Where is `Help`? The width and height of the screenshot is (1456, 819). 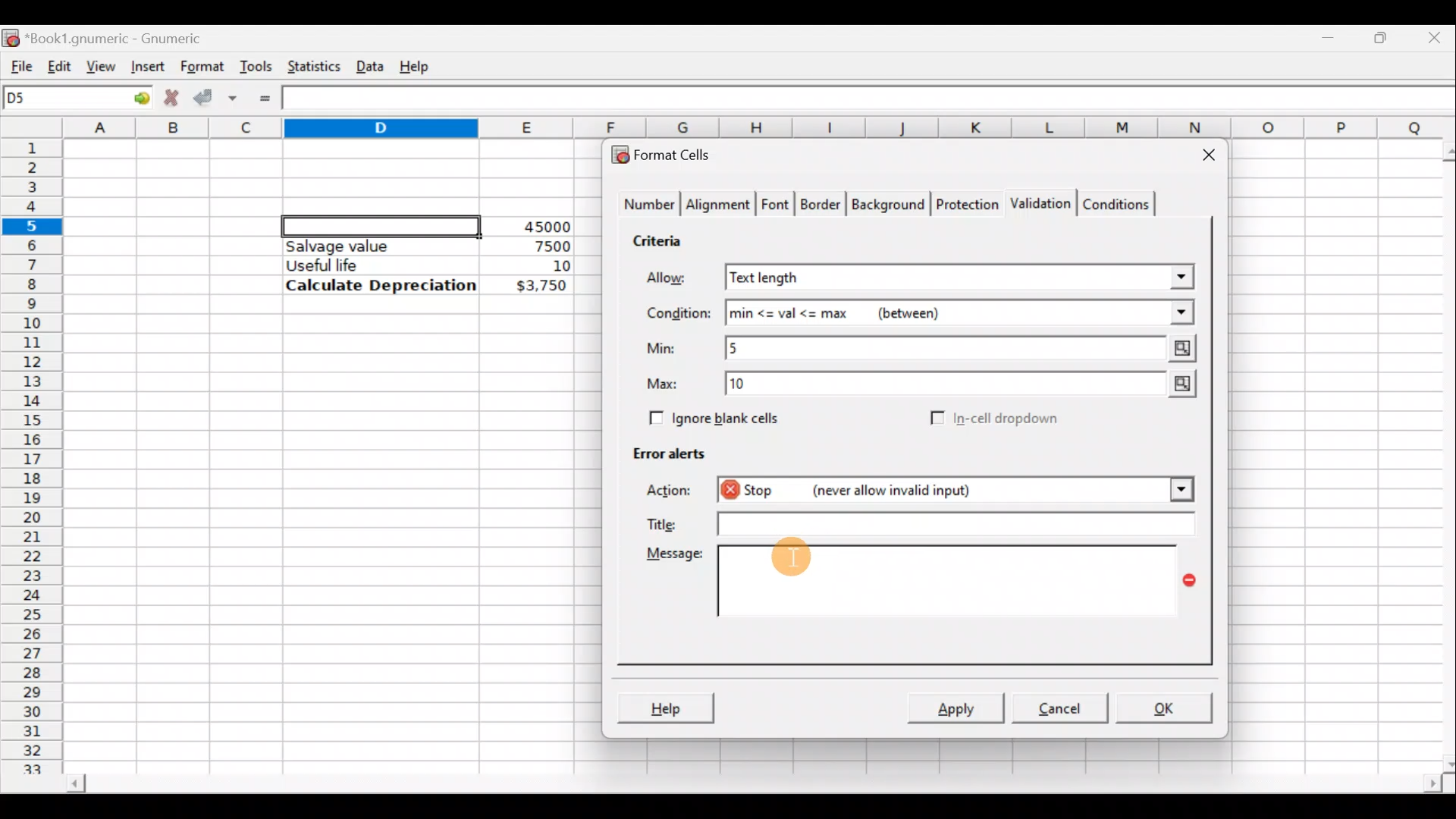
Help is located at coordinates (665, 707).